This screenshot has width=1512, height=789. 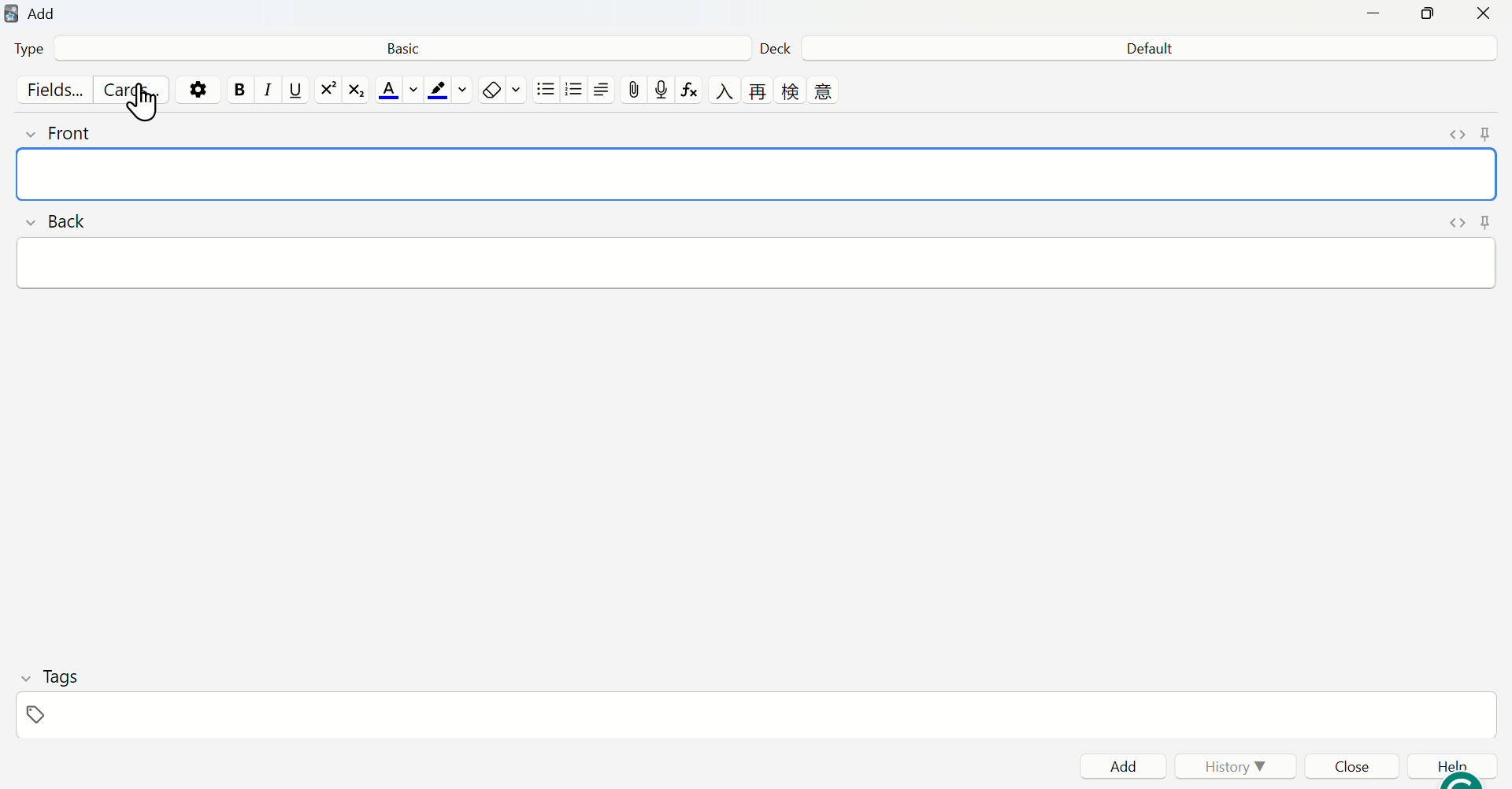 What do you see at coordinates (239, 91) in the screenshot?
I see `Bold text` at bounding box center [239, 91].